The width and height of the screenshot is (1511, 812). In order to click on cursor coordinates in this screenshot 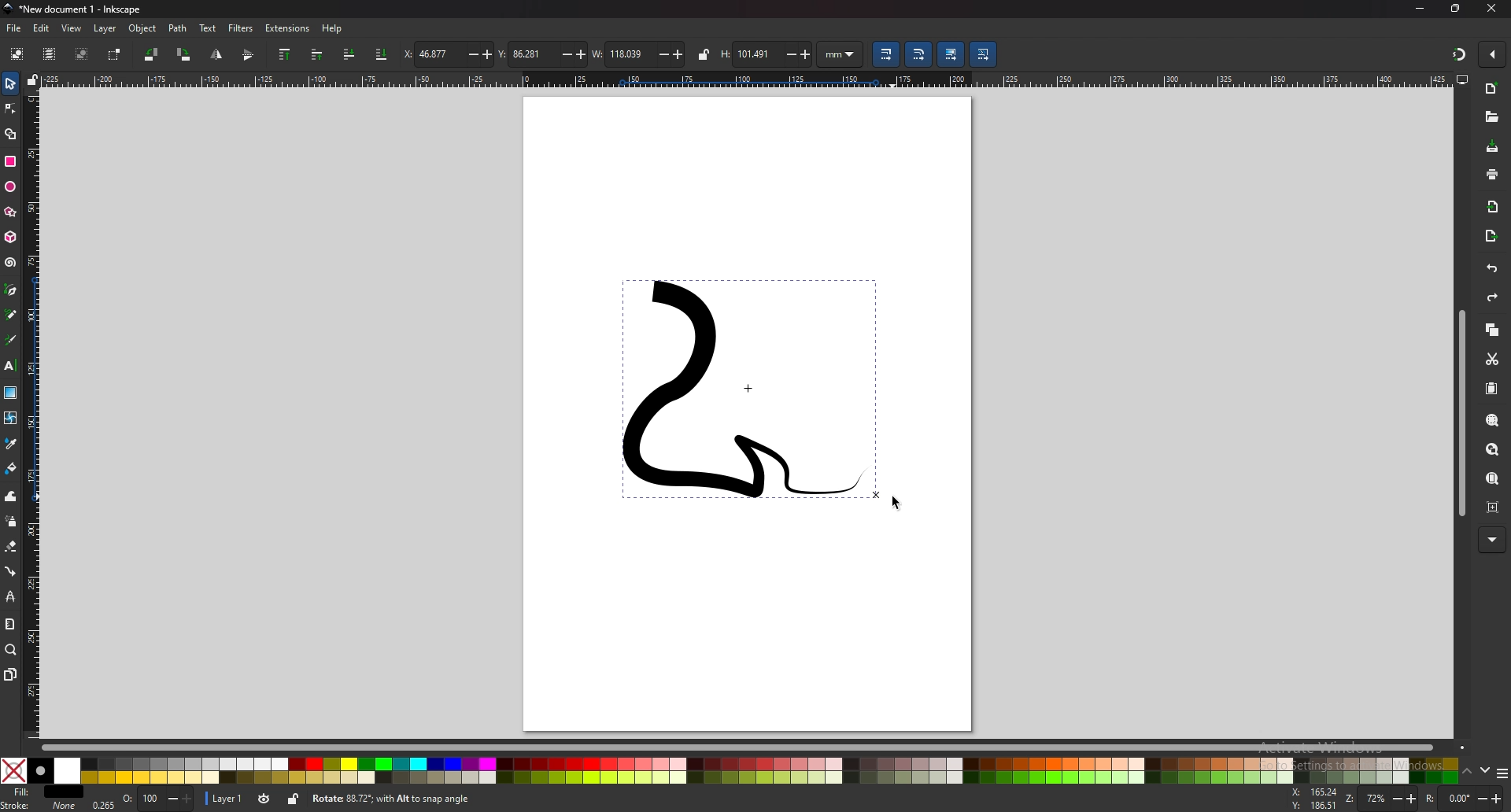, I will do `click(1314, 800)`.